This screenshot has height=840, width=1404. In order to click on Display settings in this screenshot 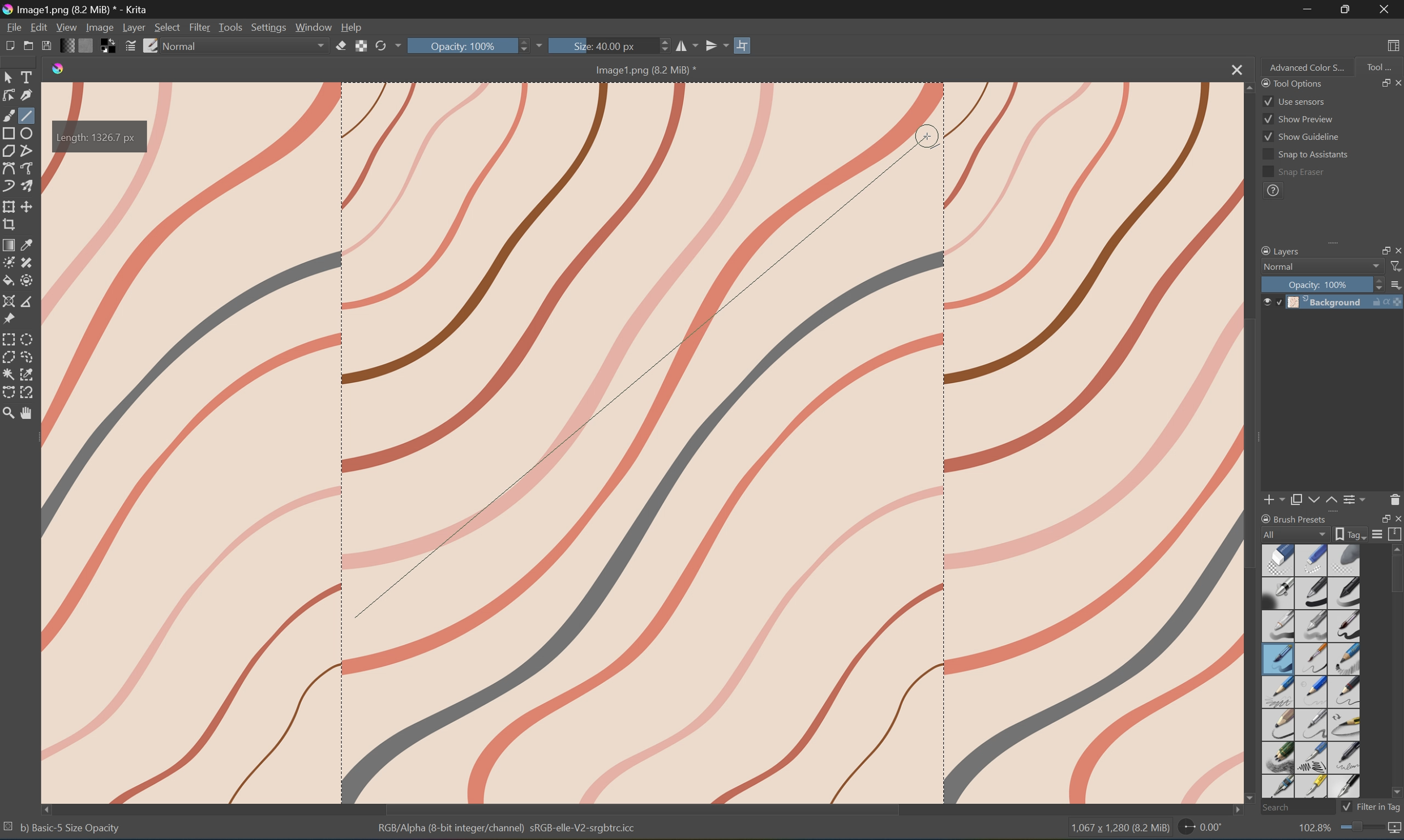, I will do `click(1379, 535)`.